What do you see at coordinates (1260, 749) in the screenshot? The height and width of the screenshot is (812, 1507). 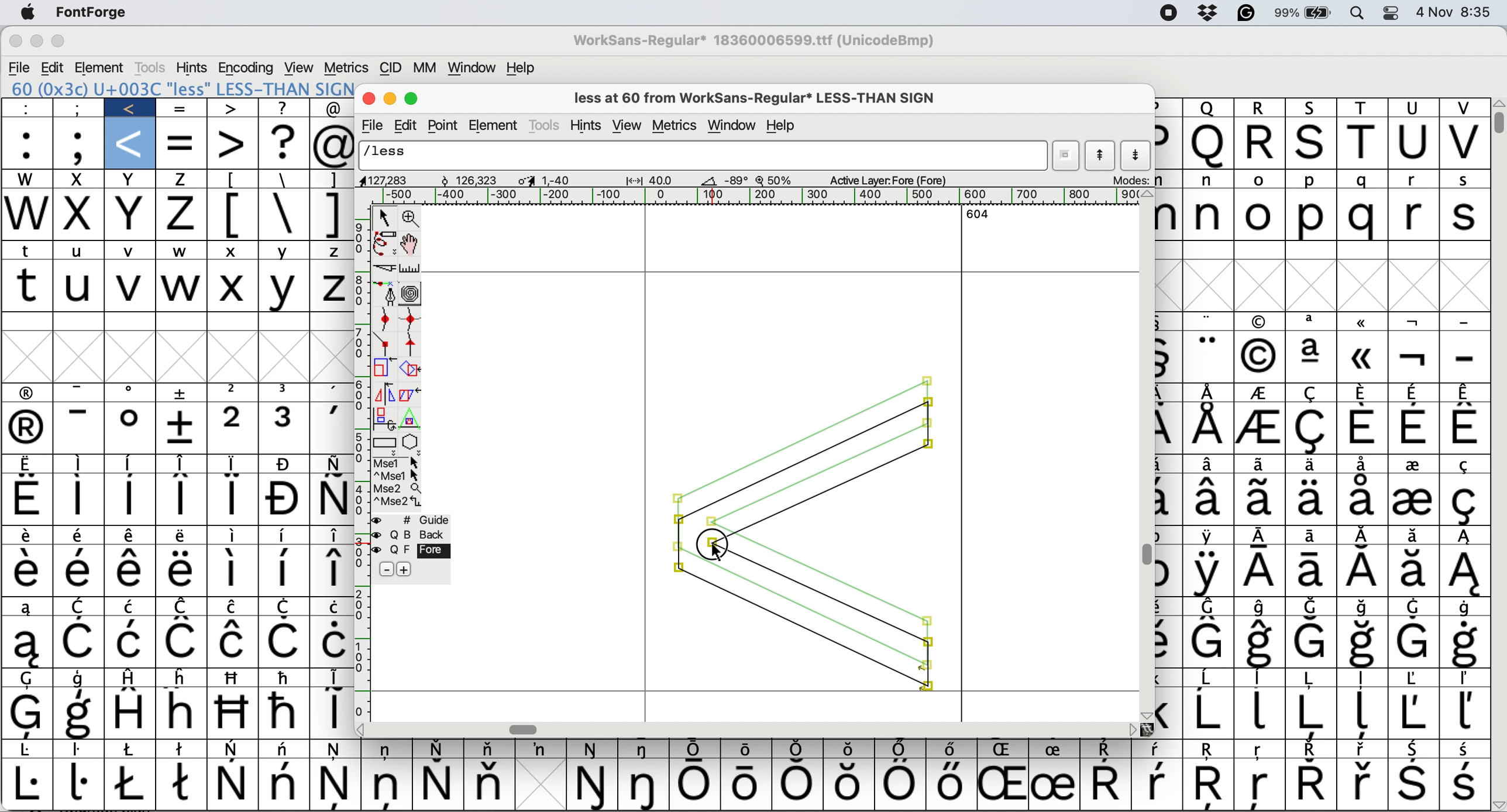 I see `Symbol` at bounding box center [1260, 749].